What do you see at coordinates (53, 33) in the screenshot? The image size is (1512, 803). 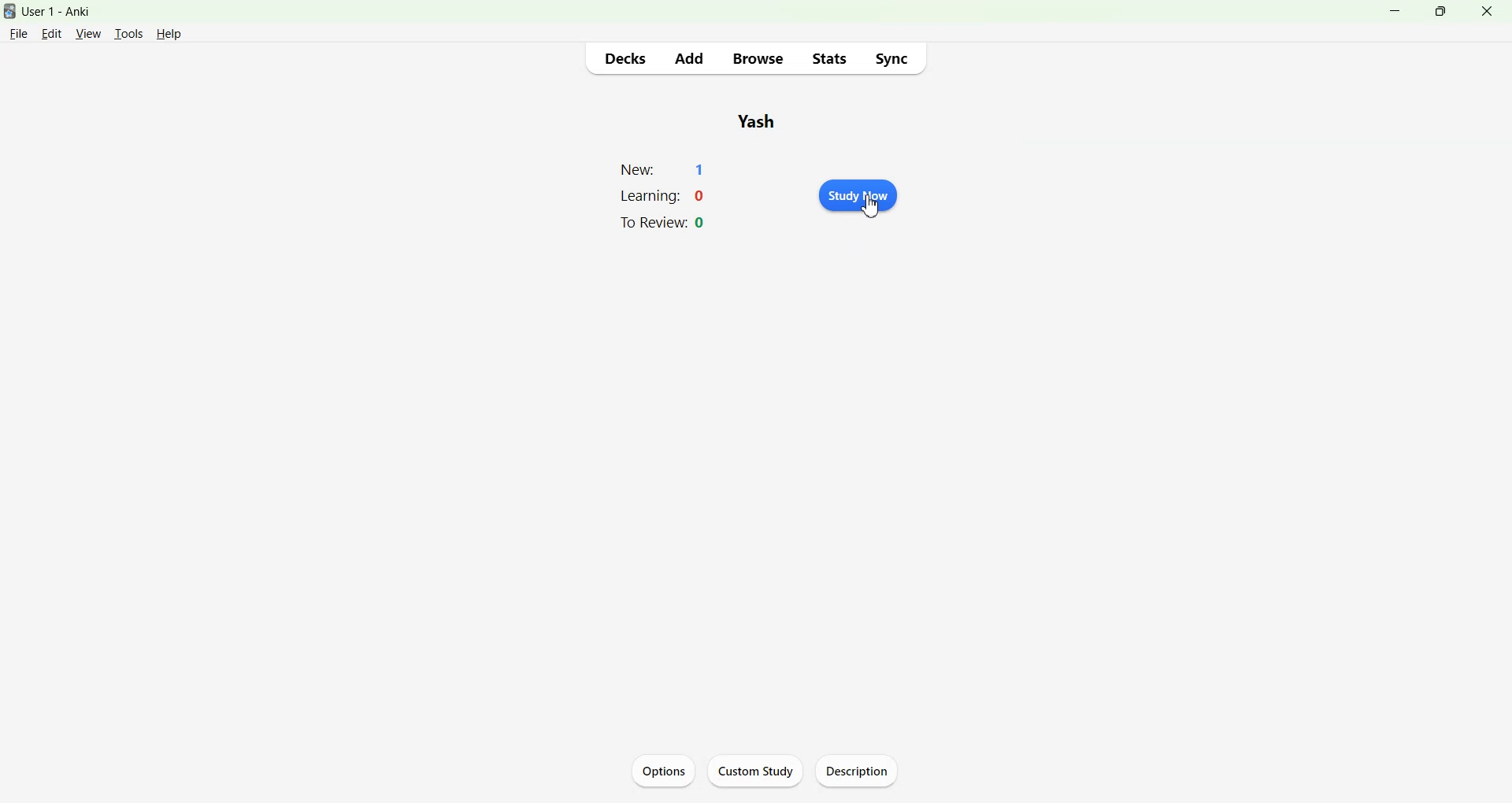 I see `Edit` at bounding box center [53, 33].